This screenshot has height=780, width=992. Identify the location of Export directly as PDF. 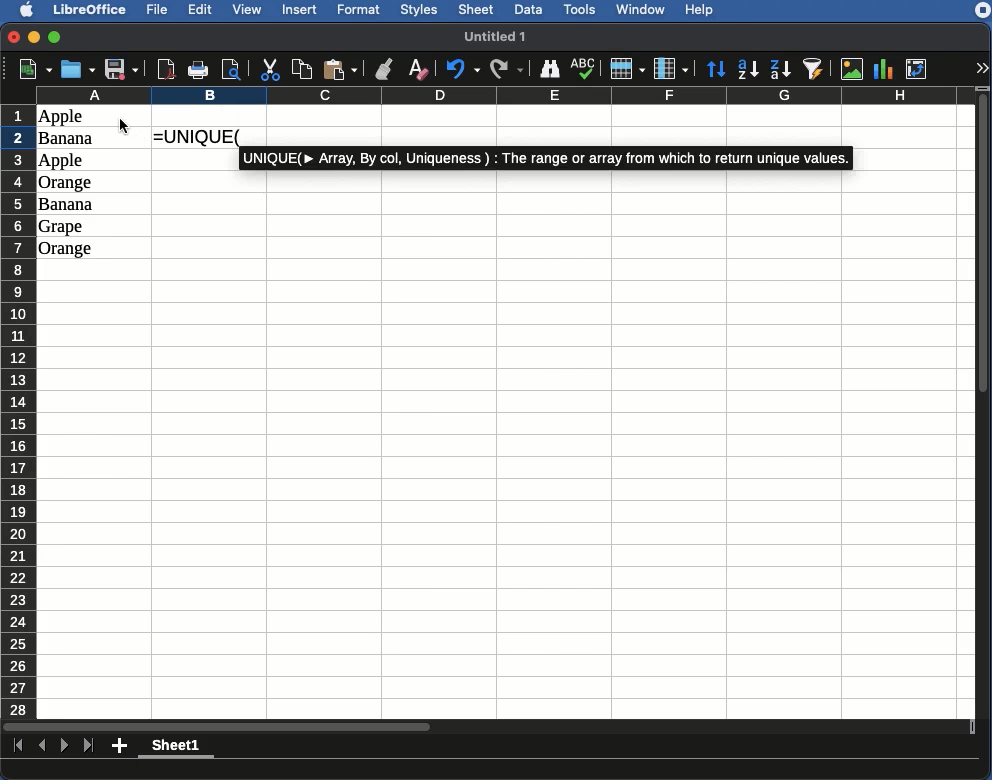
(167, 68).